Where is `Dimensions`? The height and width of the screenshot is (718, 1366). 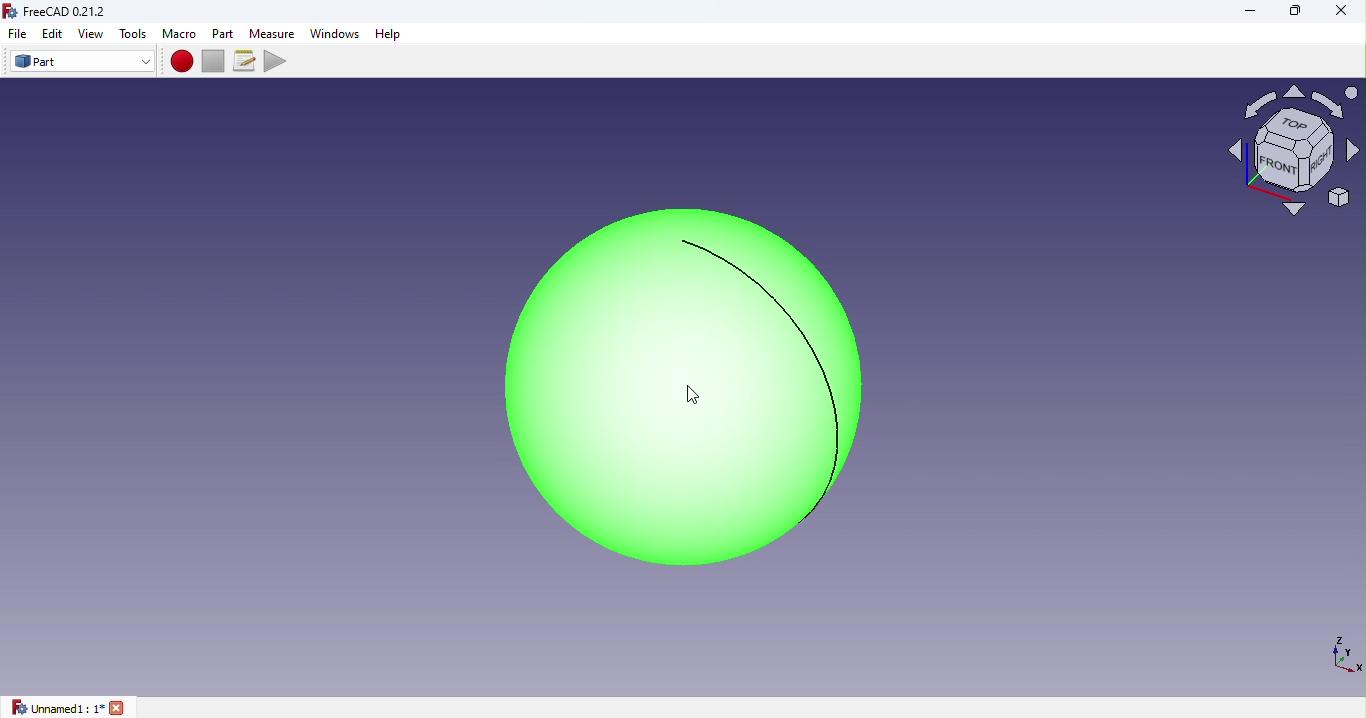 Dimensions is located at coordinates (1342, 653).